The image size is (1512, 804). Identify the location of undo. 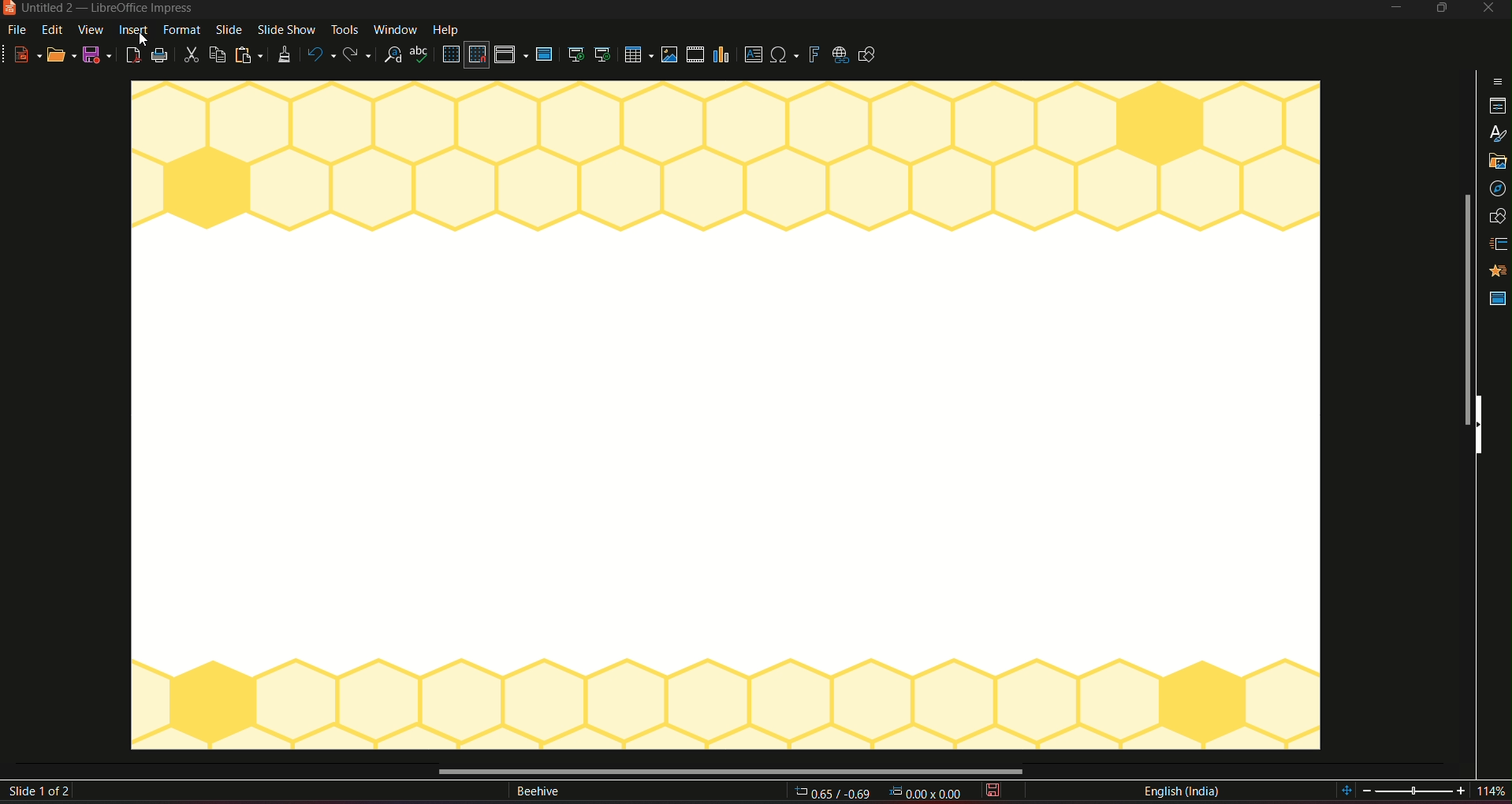
(320, 54).